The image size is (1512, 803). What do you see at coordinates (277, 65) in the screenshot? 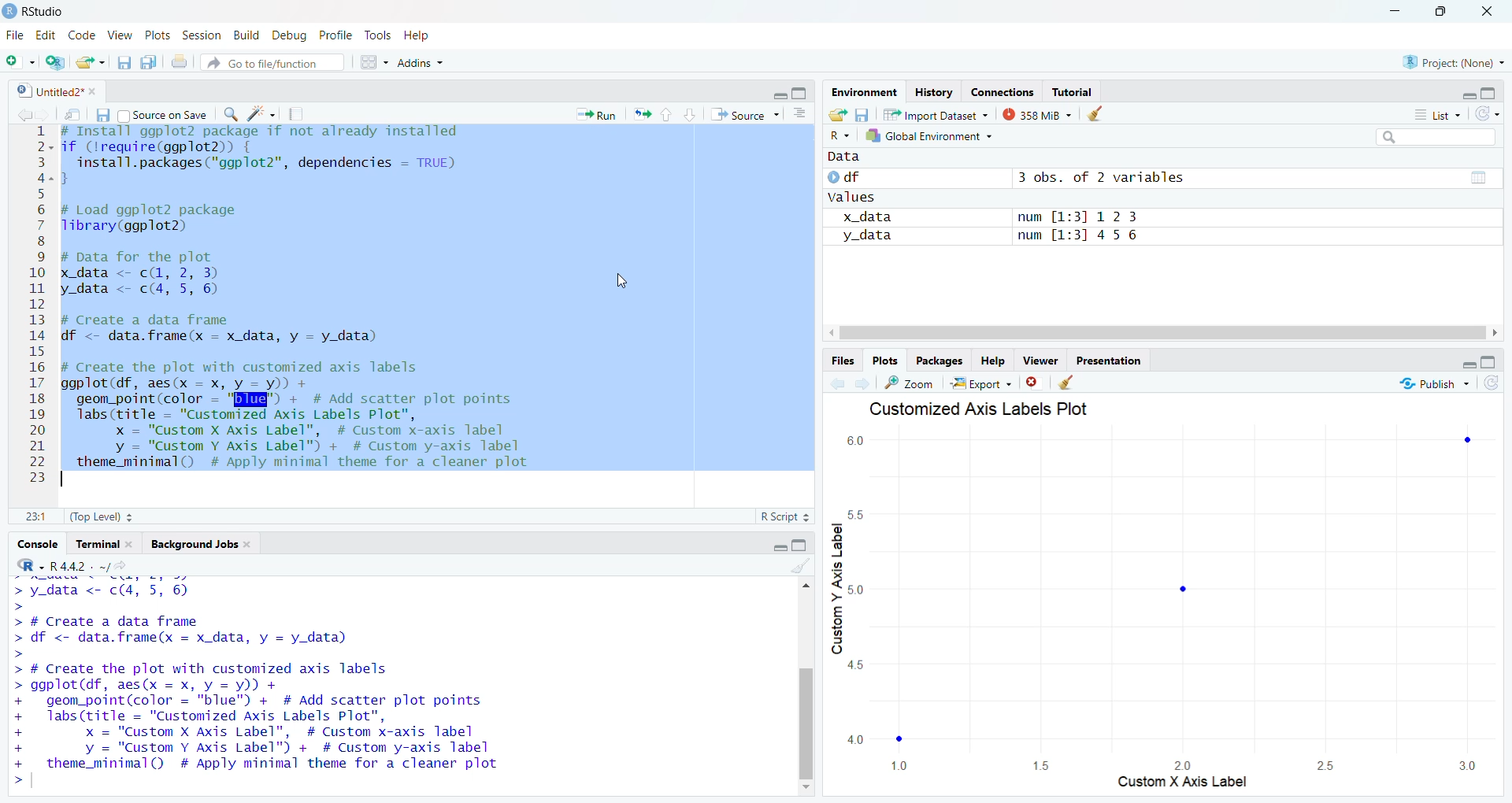
I see `»» Go to file/function` at bounding box center [277, 65].